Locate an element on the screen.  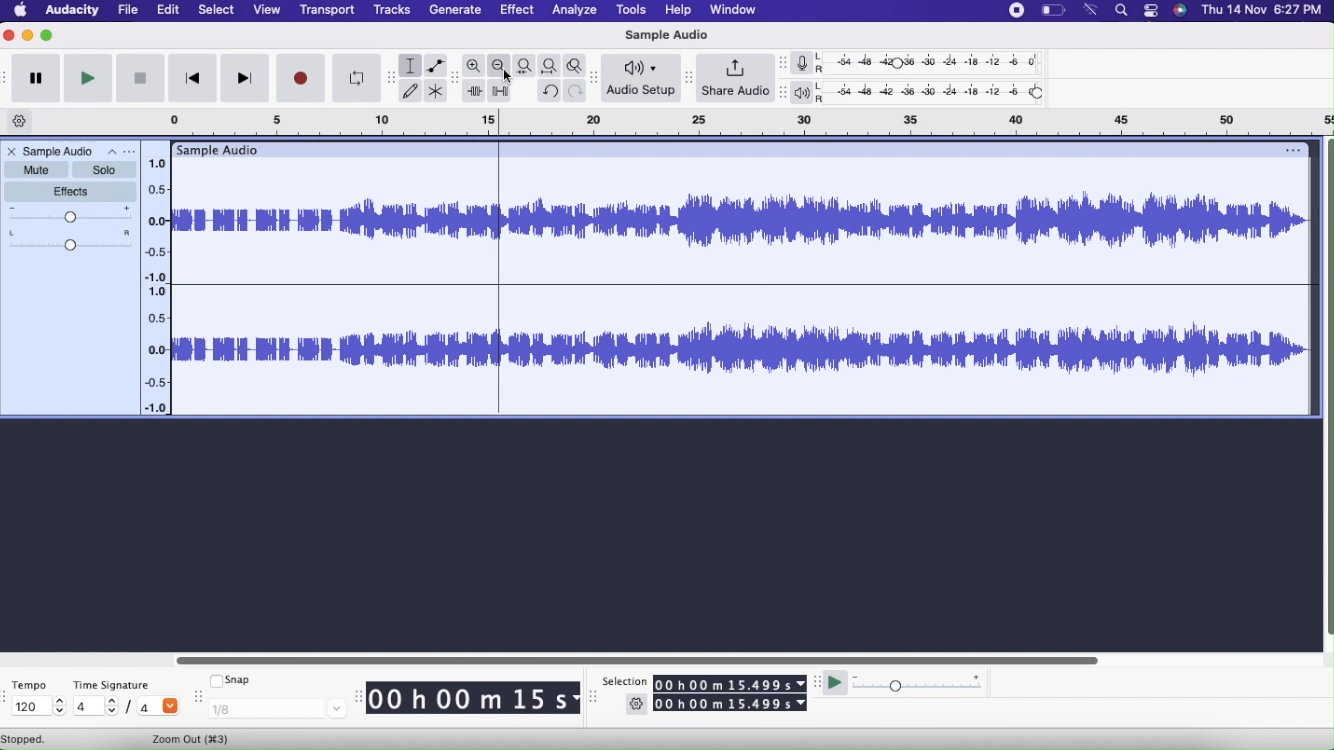
Timeline options is located at coordinates (20, 122).